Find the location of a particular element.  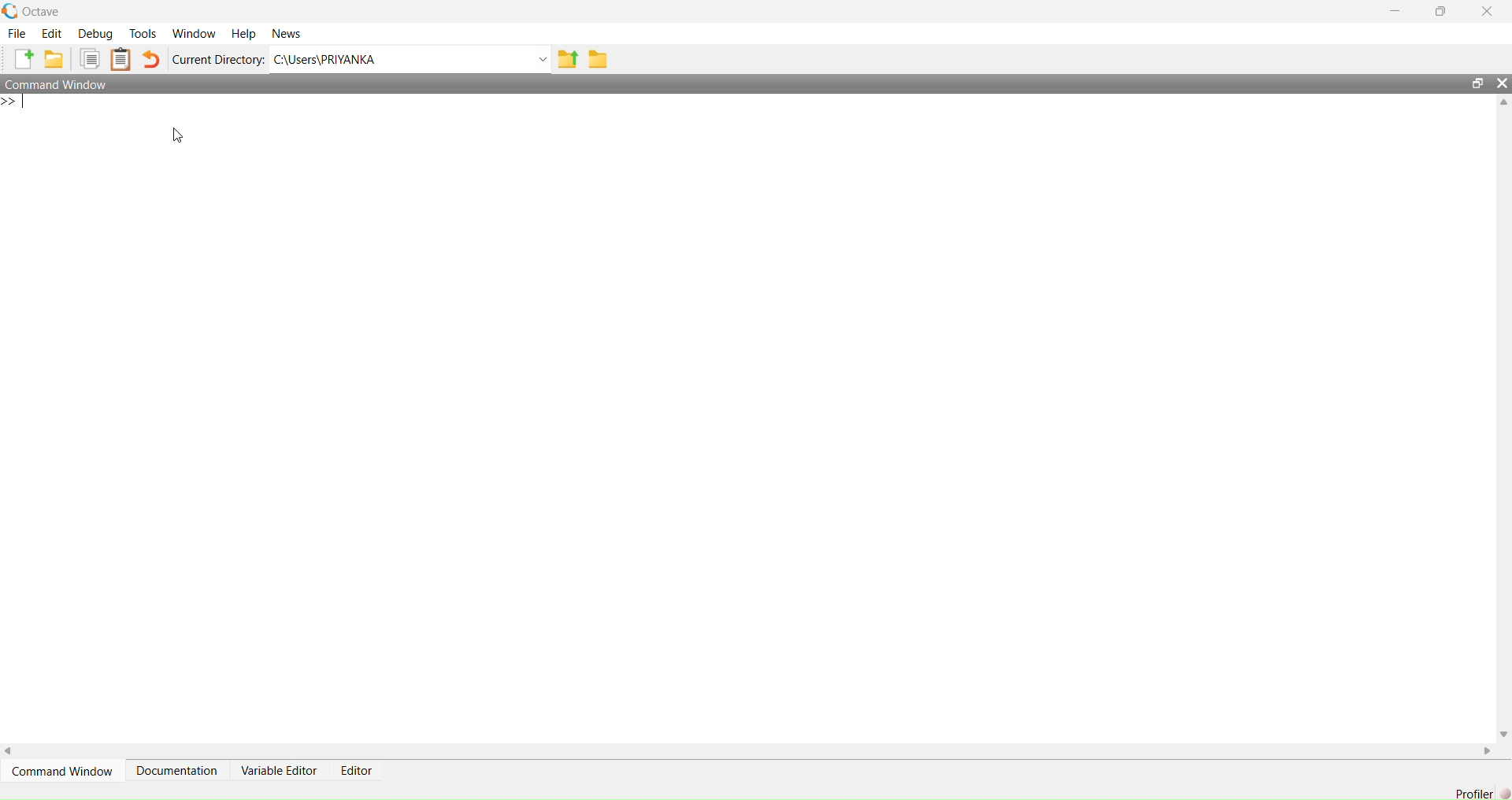

Editor is located at coordinates (354, 769).